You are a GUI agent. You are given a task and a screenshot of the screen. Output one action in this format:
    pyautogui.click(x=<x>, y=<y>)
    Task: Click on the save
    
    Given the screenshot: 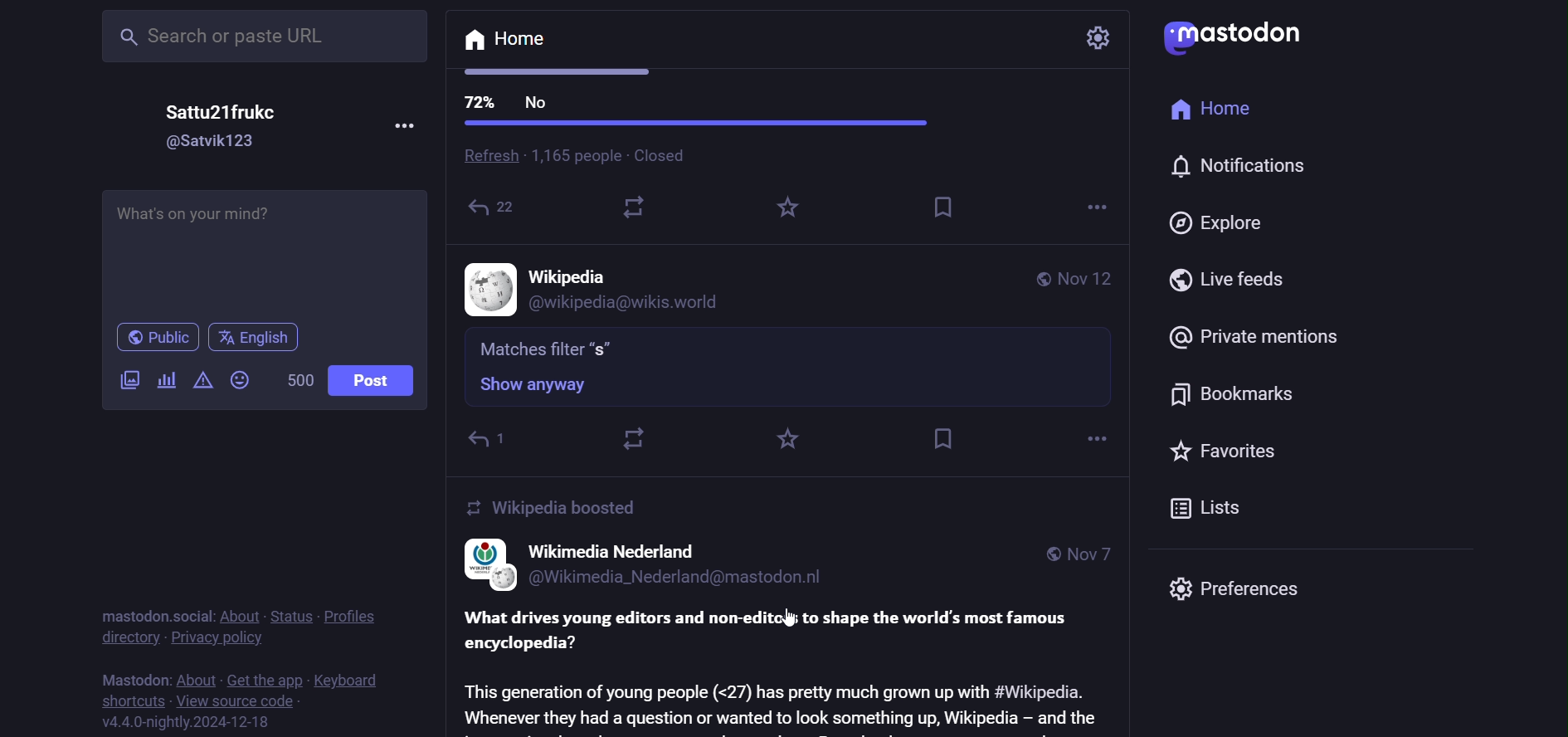 What is the action you would take?
    pyautogui.click(x=946, y=207)
    